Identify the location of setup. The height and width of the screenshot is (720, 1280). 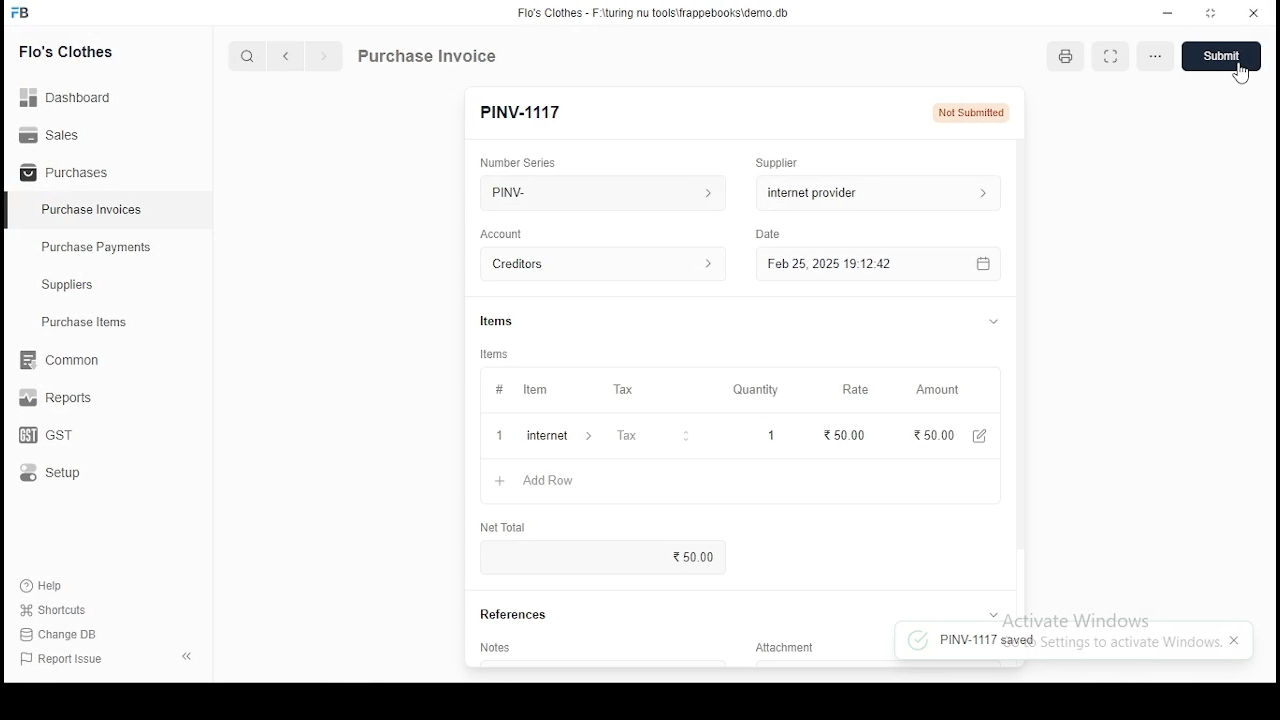
(63, 474).